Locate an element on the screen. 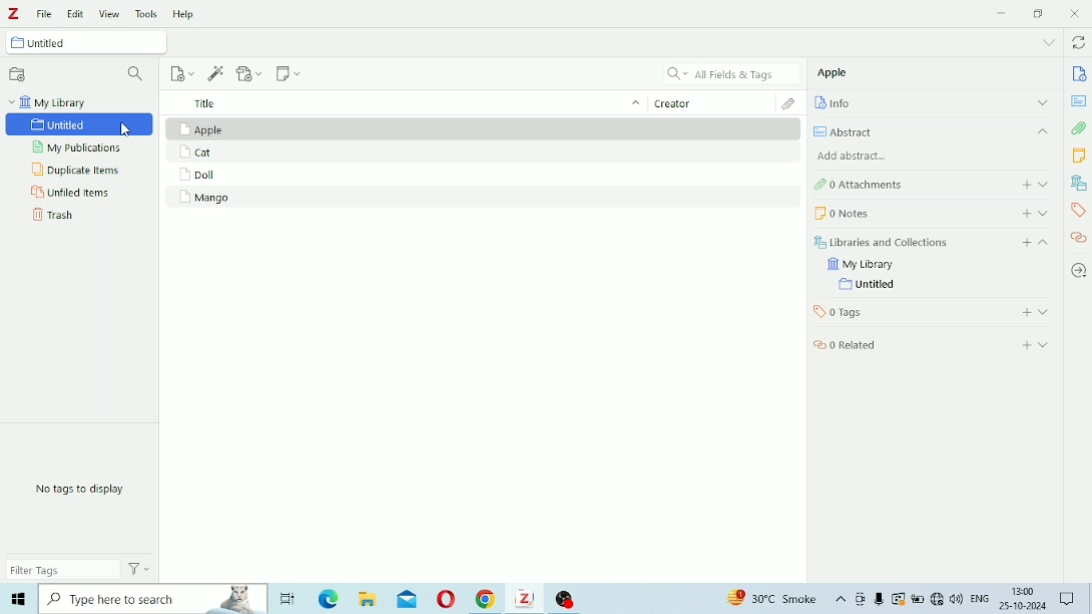 The width and height of the screenshot is (1092, 614). Apple is located at coordinates (833, 73).